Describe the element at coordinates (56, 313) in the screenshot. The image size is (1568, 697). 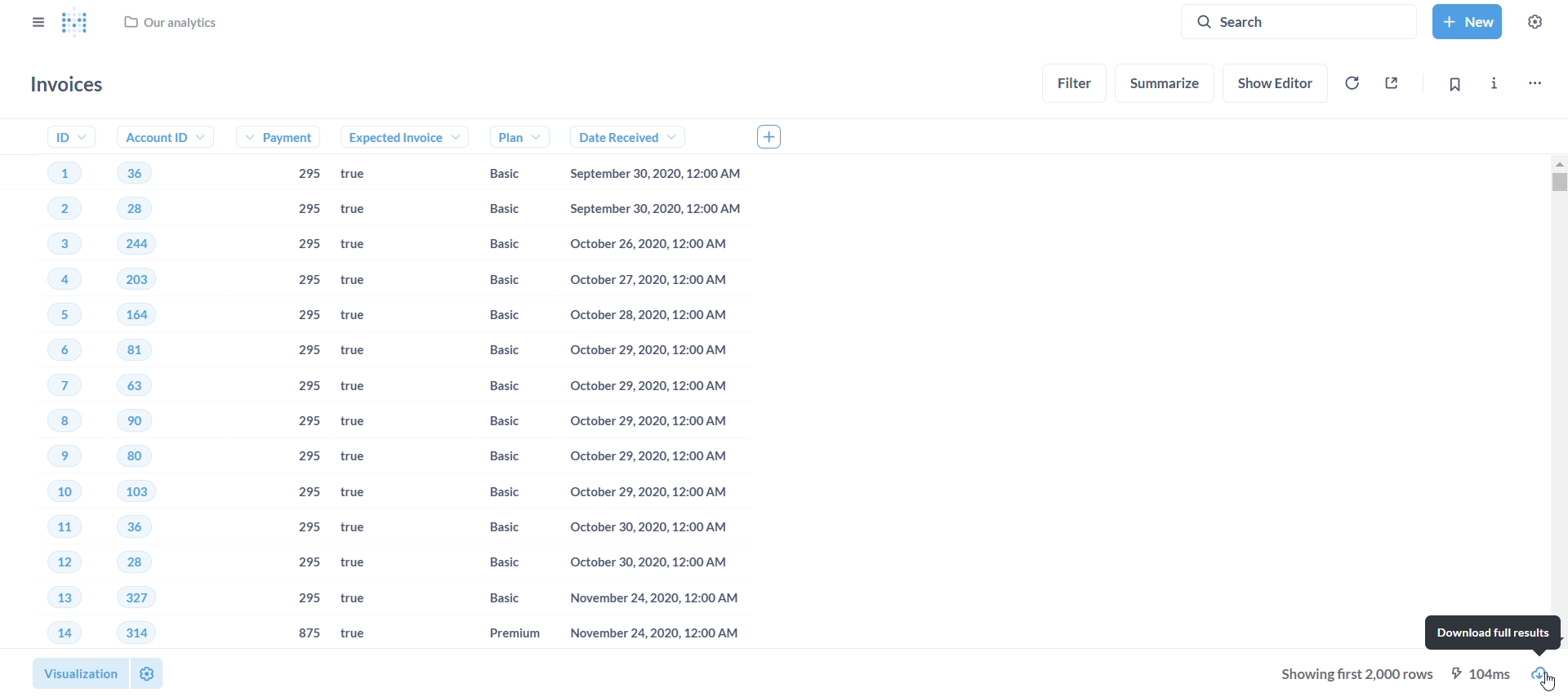
I see `5` at that location.